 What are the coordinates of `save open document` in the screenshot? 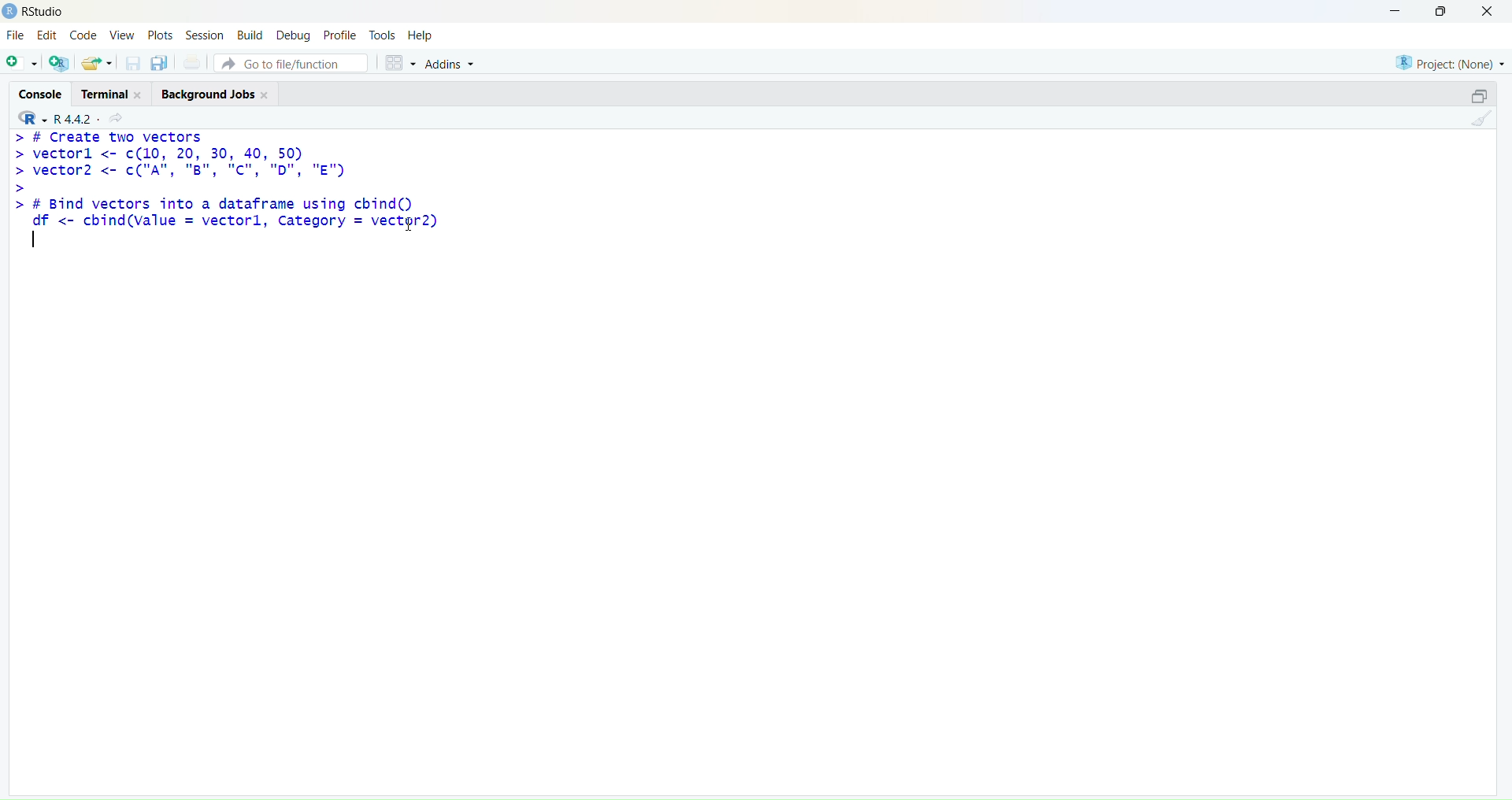 It's located at (132, 65).